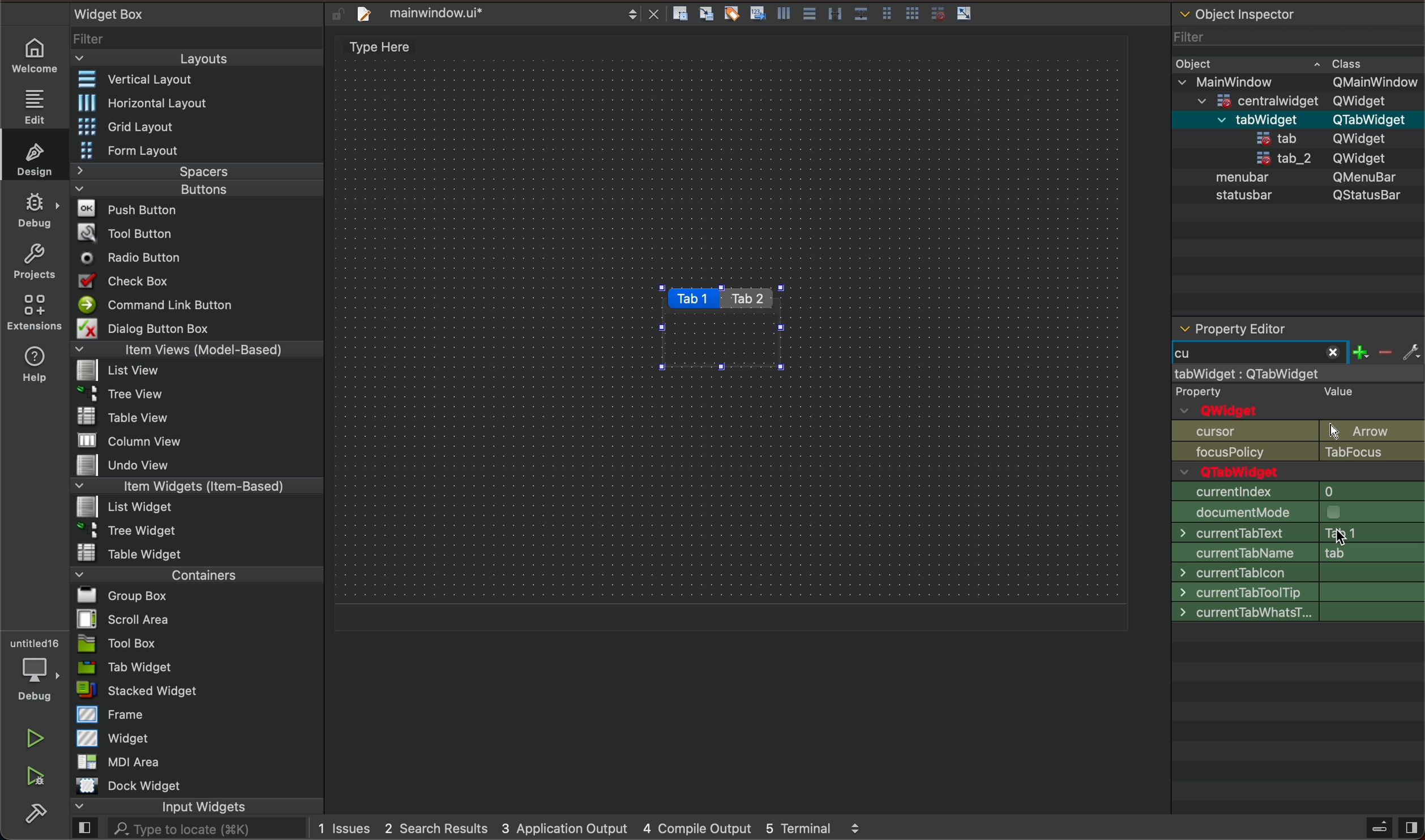 Image resolution: width=1425 pixels, height=840 pixels. What do you see at coordinates (198, 350) in the screenshot?
I see `Item Views (Model-Based)` at bounding box center [198, 350].